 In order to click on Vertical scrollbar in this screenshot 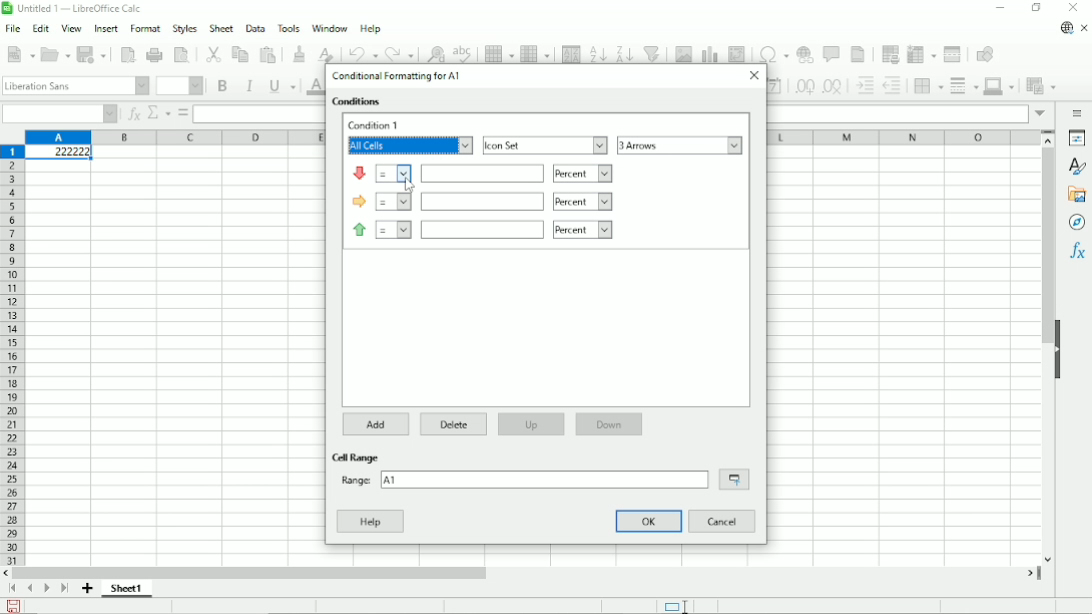, I will do `click(1044, 246)`.